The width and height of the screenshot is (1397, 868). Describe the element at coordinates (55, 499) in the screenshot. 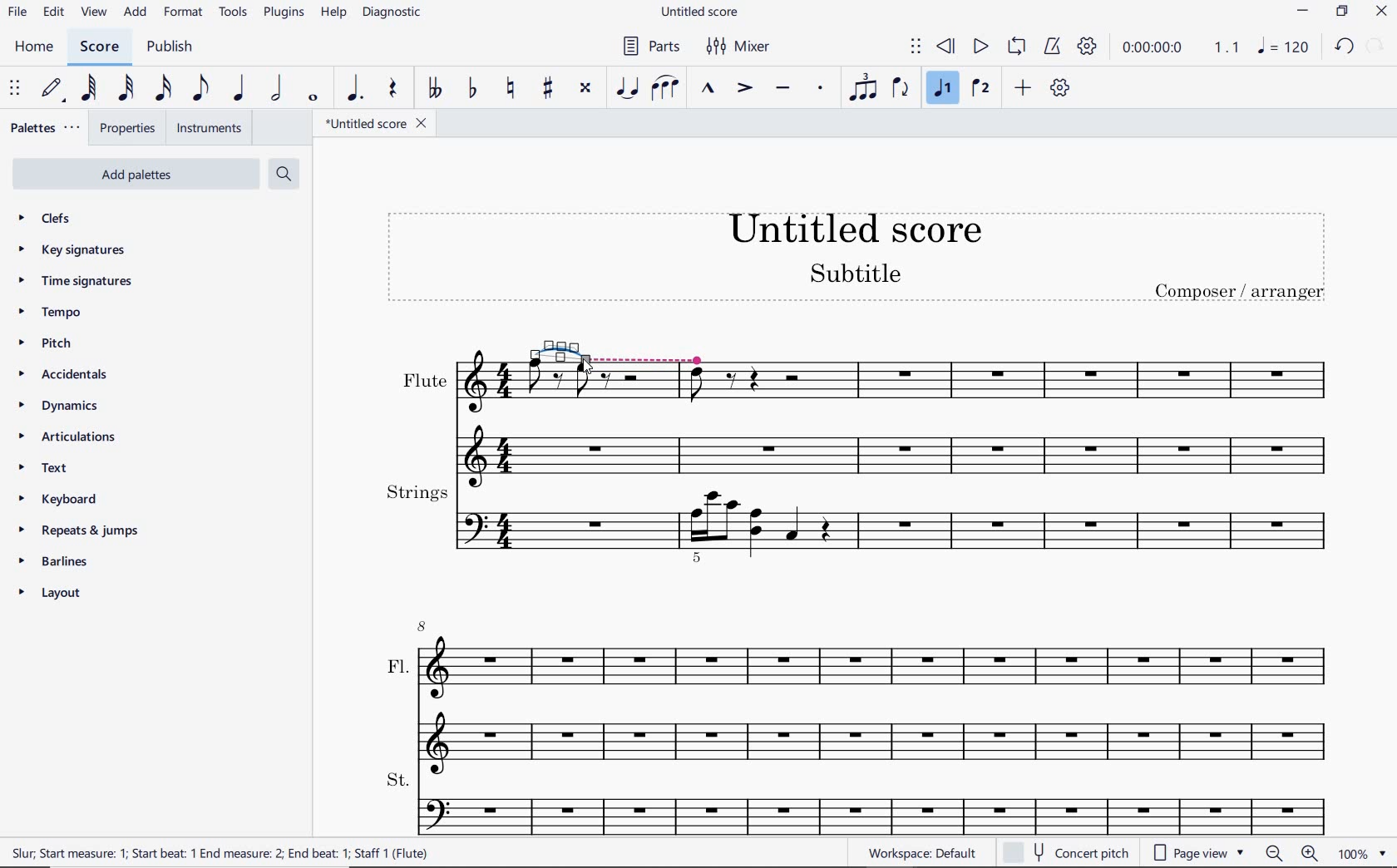

I see `keyboard` at that location.